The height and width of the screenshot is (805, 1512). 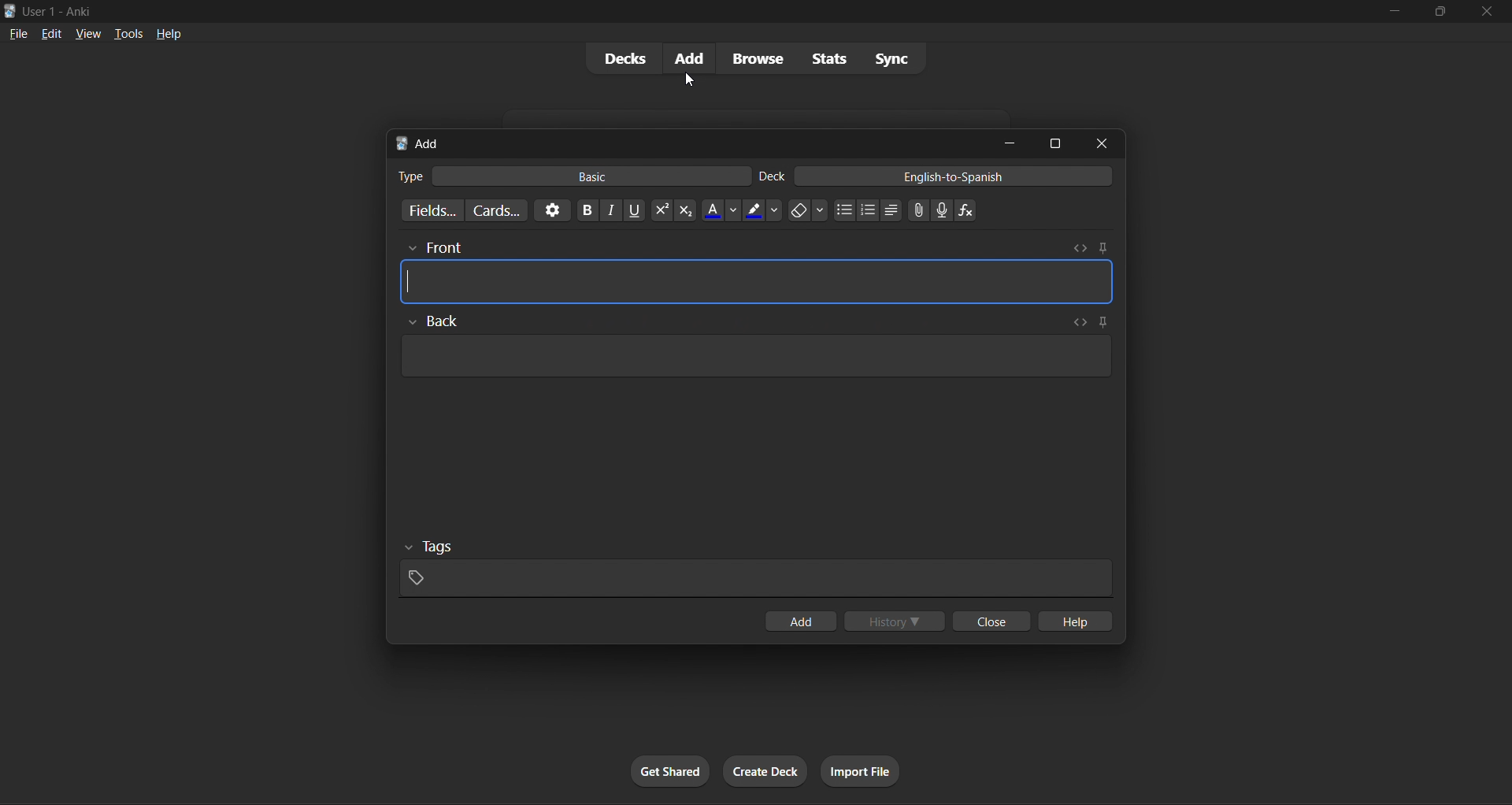 I want to click on stats, so click(x=824, y=58).